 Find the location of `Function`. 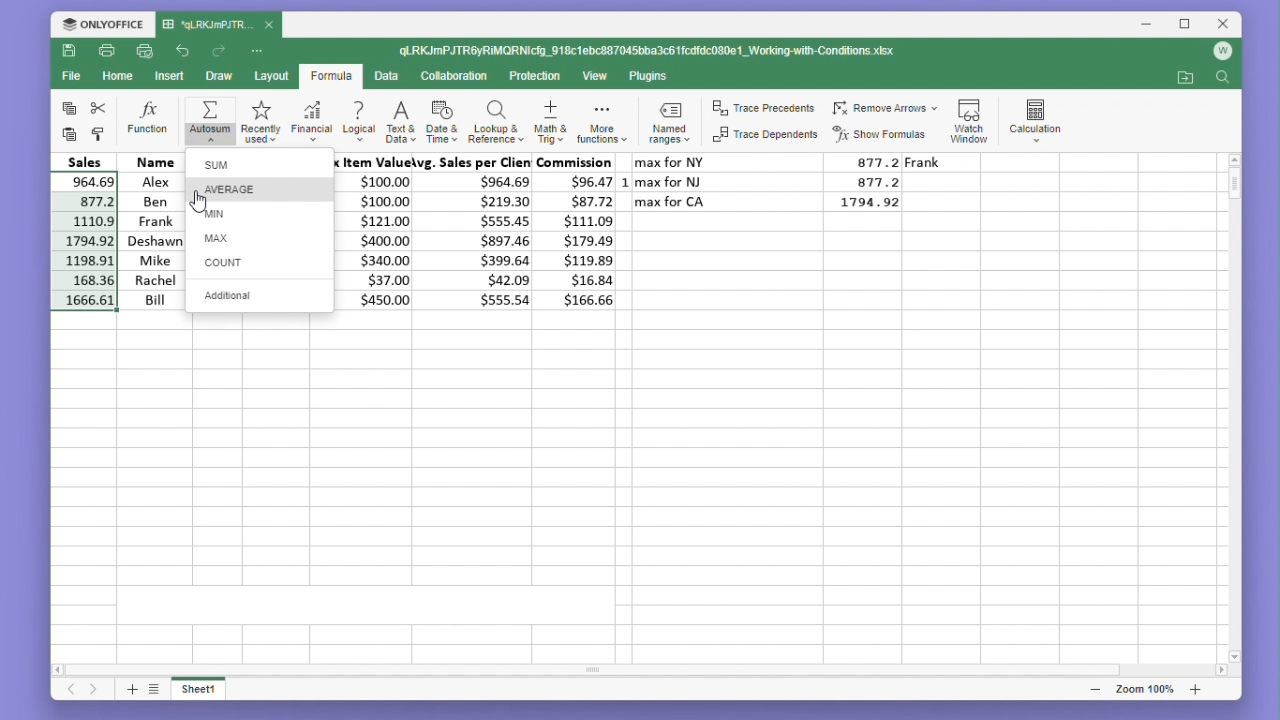

Function is located at coordinates (149, 119).